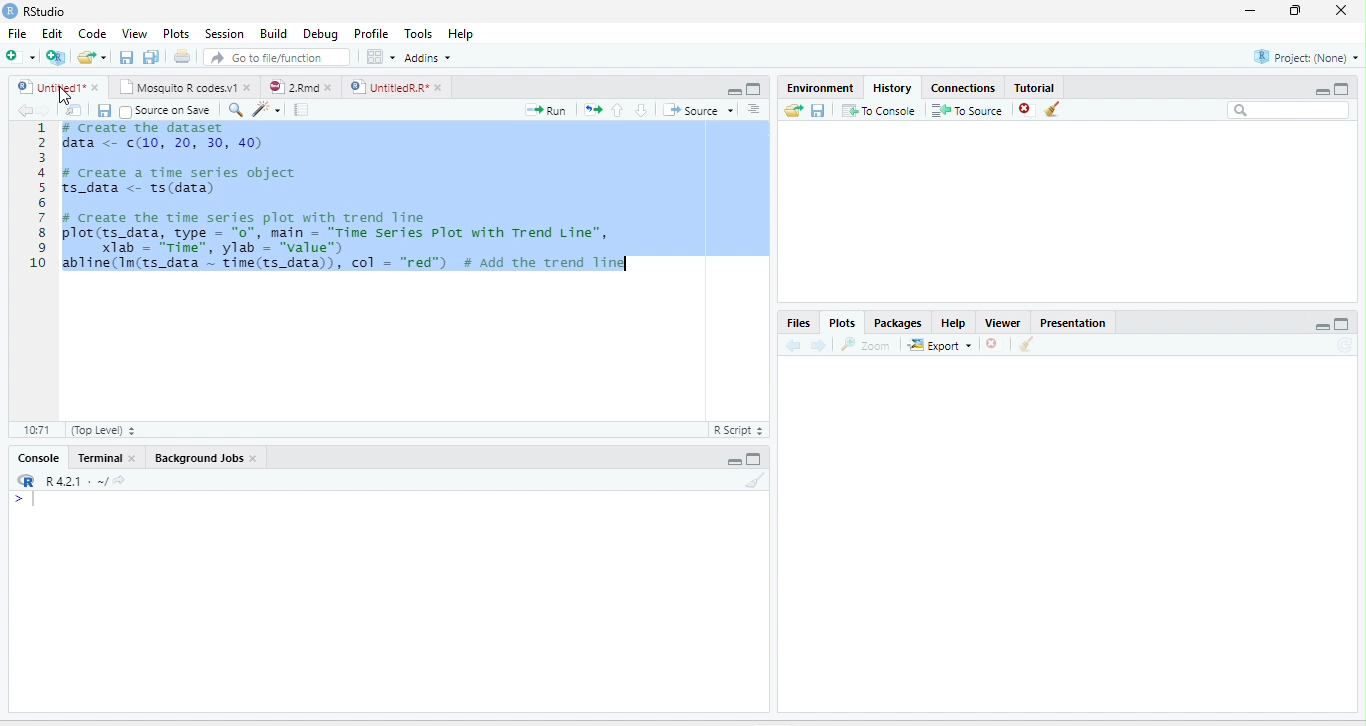 The height and width of the screenshot is (726, 1366). What do you see at coordinates (617, 109) in the screenshot?
I see `Go to previous section/chunk` at bounding box center [617, 109].